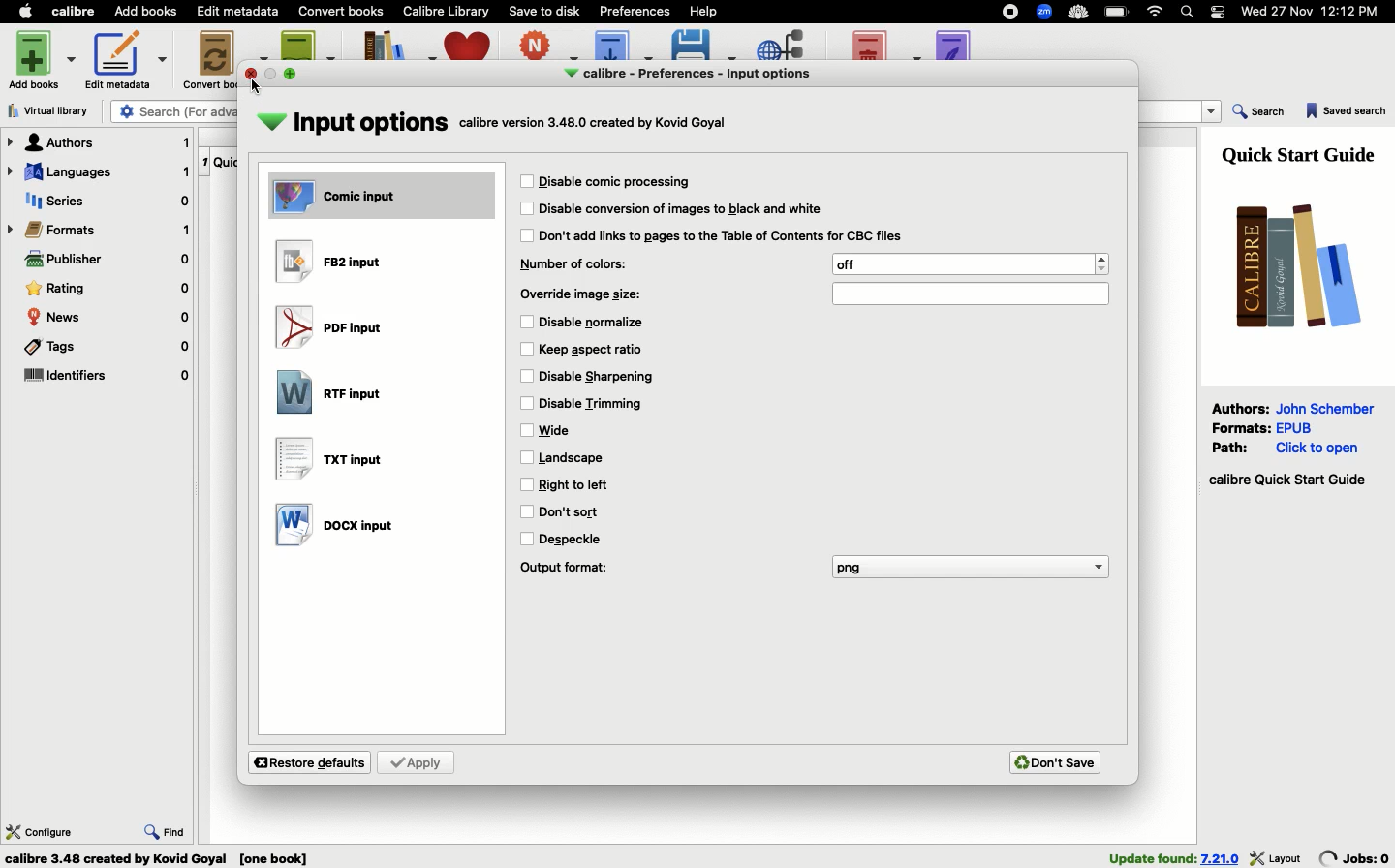 The width and height of the screenshot is (1395, 868). Describe the element at coordinates (527, 349) in the screenshot. I see `Checkbox` at that location.